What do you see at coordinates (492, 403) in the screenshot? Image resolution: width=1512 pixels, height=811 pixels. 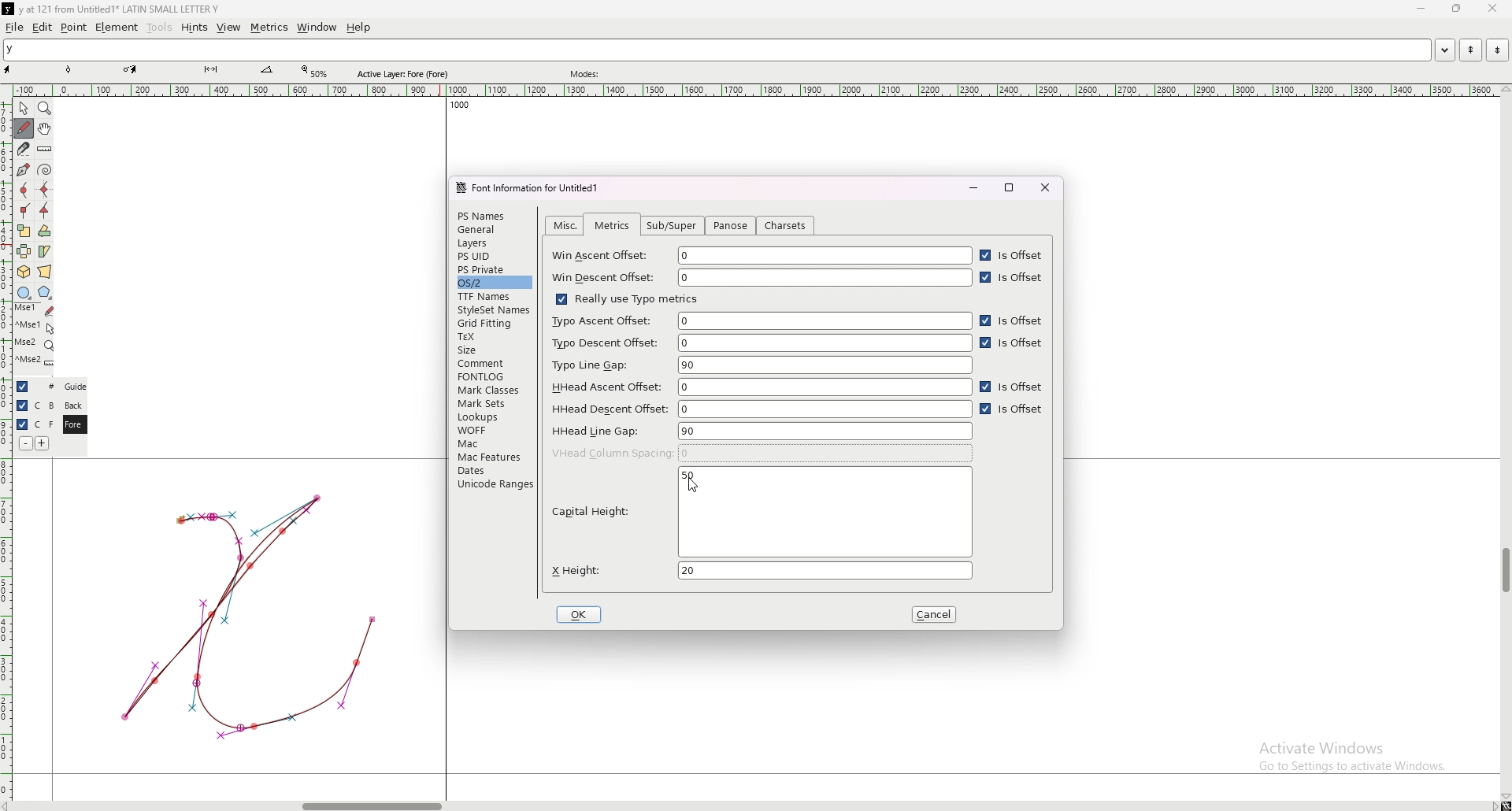 I see `mark sets` at bounding box center [492, 403].